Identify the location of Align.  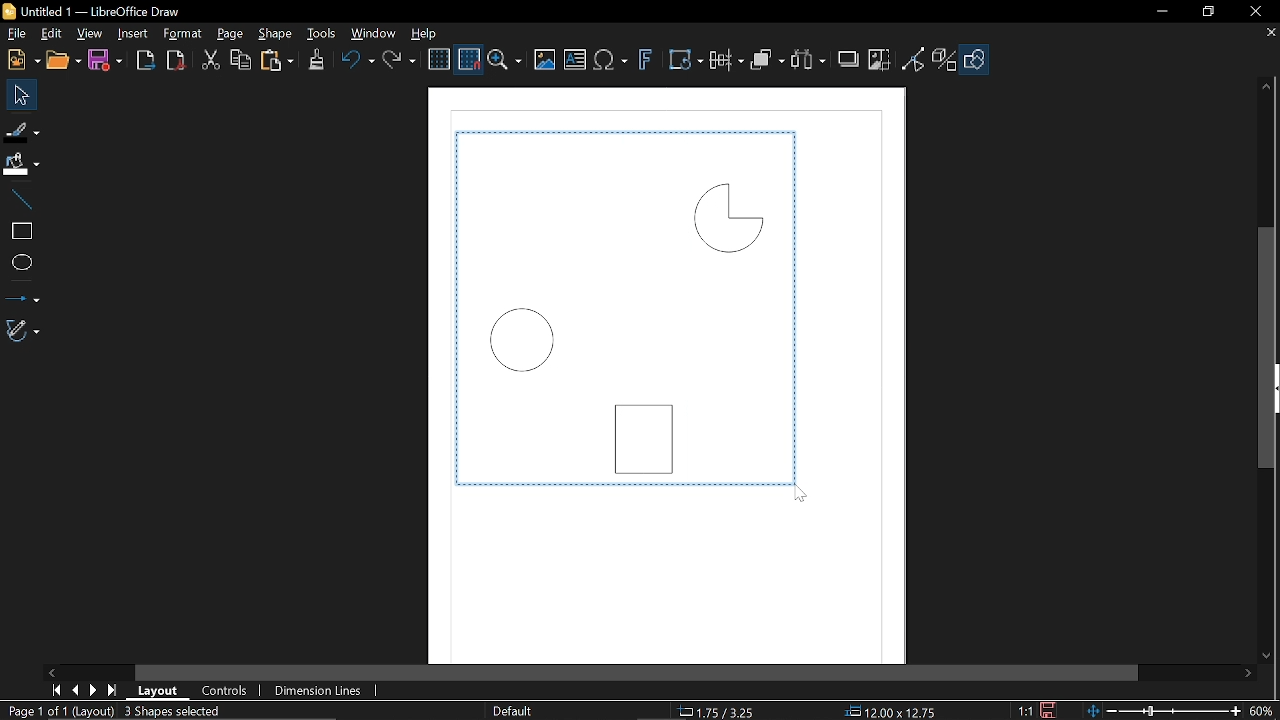
(726, 63).